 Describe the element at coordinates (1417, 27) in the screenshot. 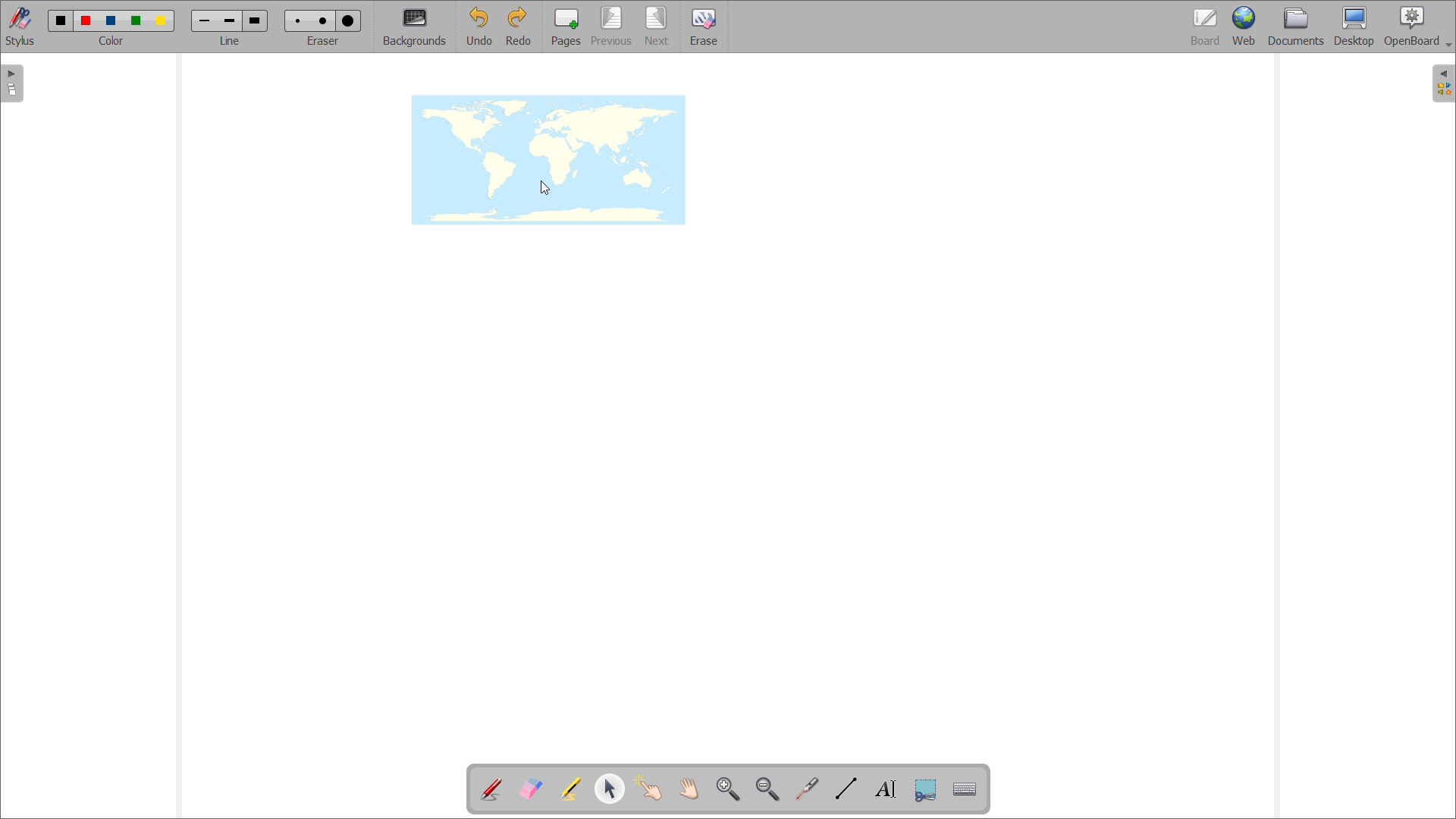

I see `openboard settings` at that location.